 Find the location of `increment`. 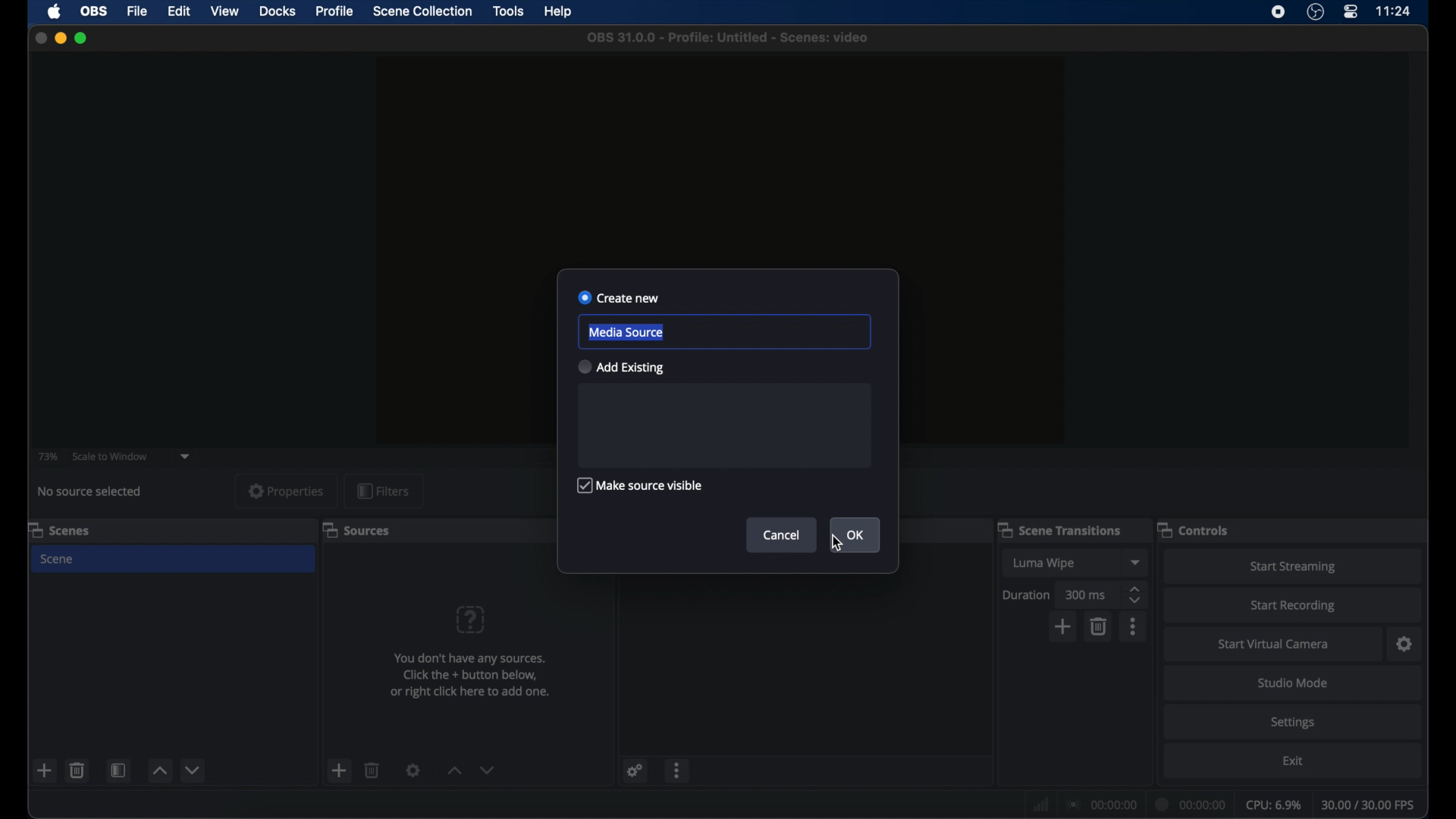

increment is located at coordinates (160, 772).